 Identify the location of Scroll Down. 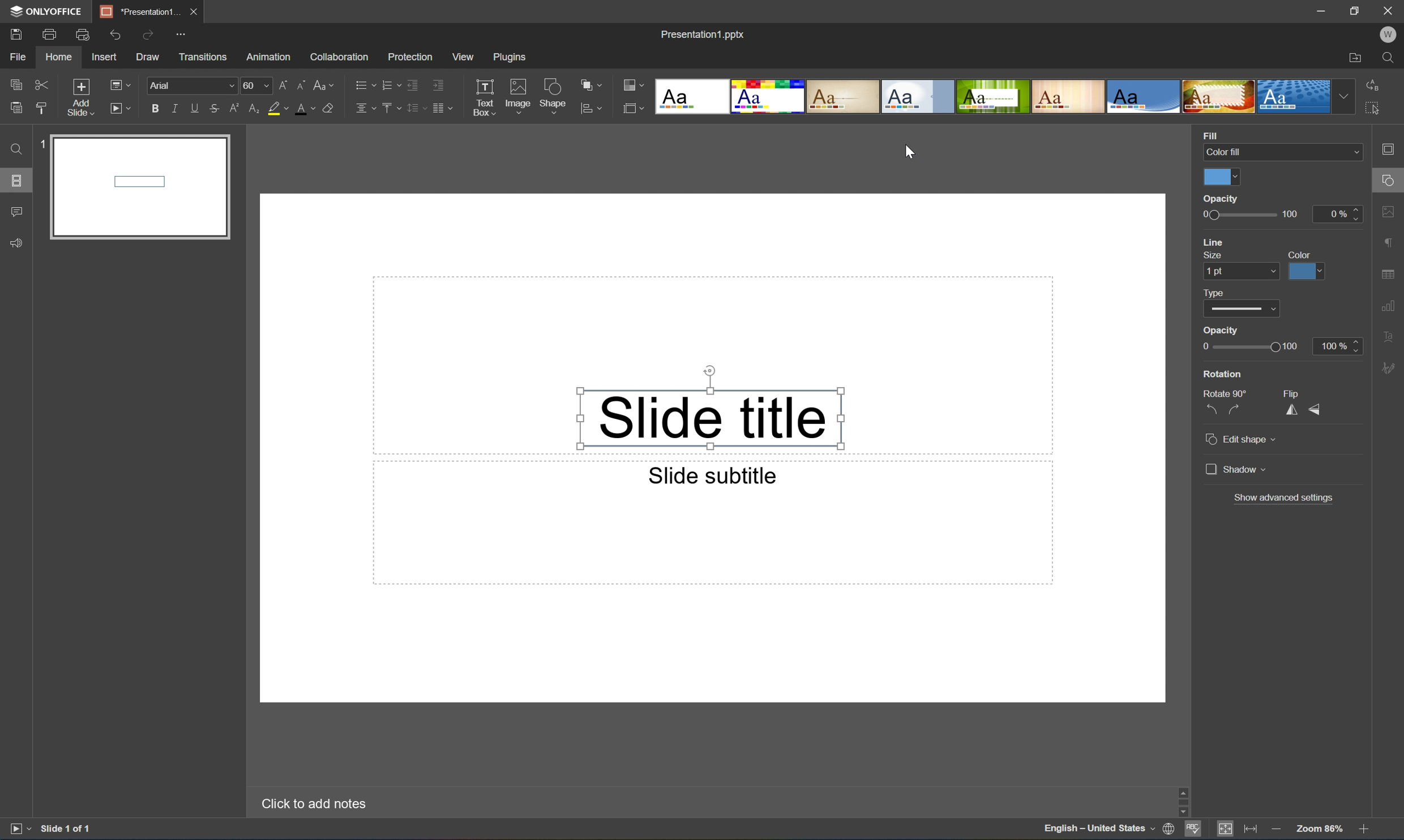
(1361, 816).